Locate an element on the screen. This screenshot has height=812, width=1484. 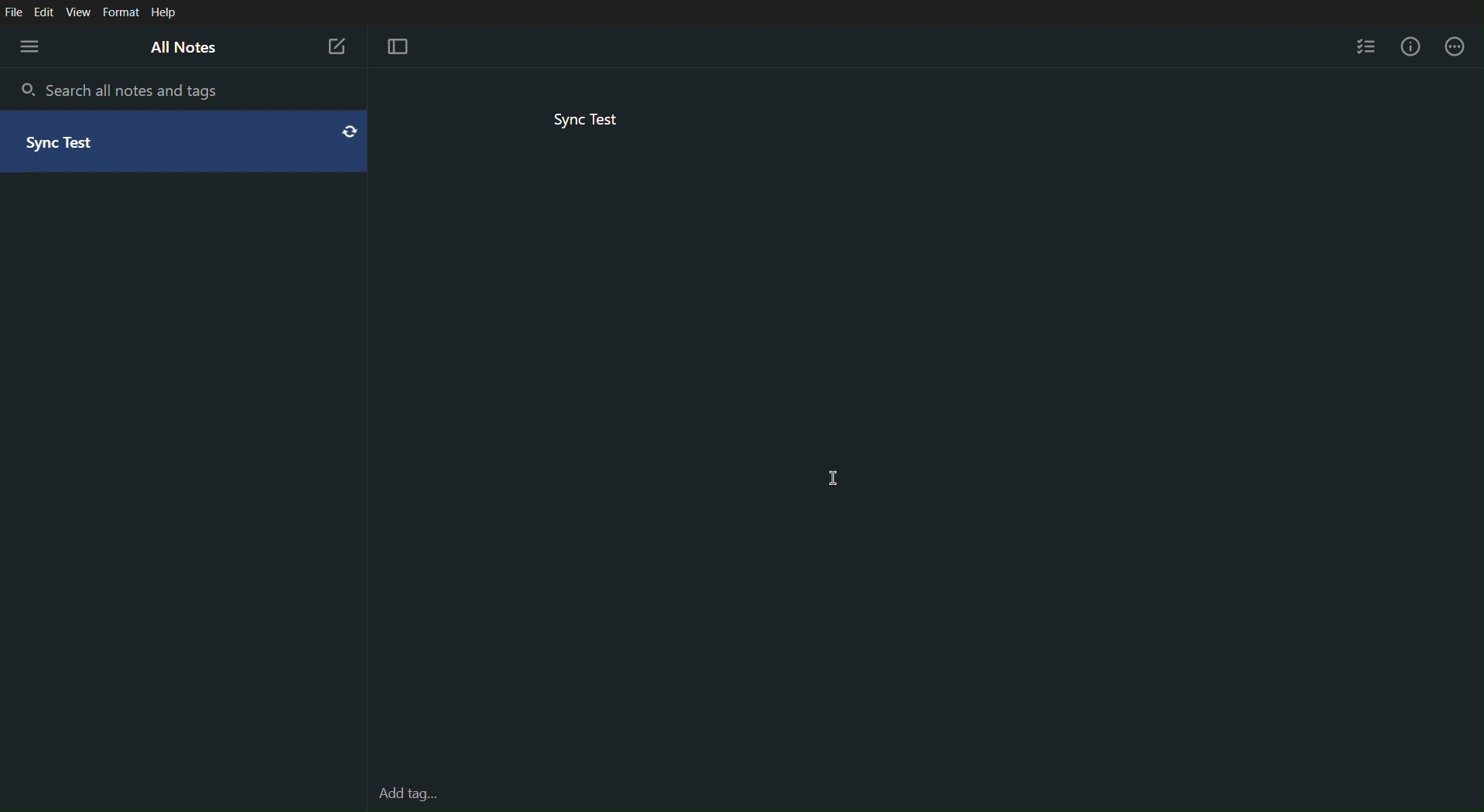
Checklist is located at coordinates (1368, 44).